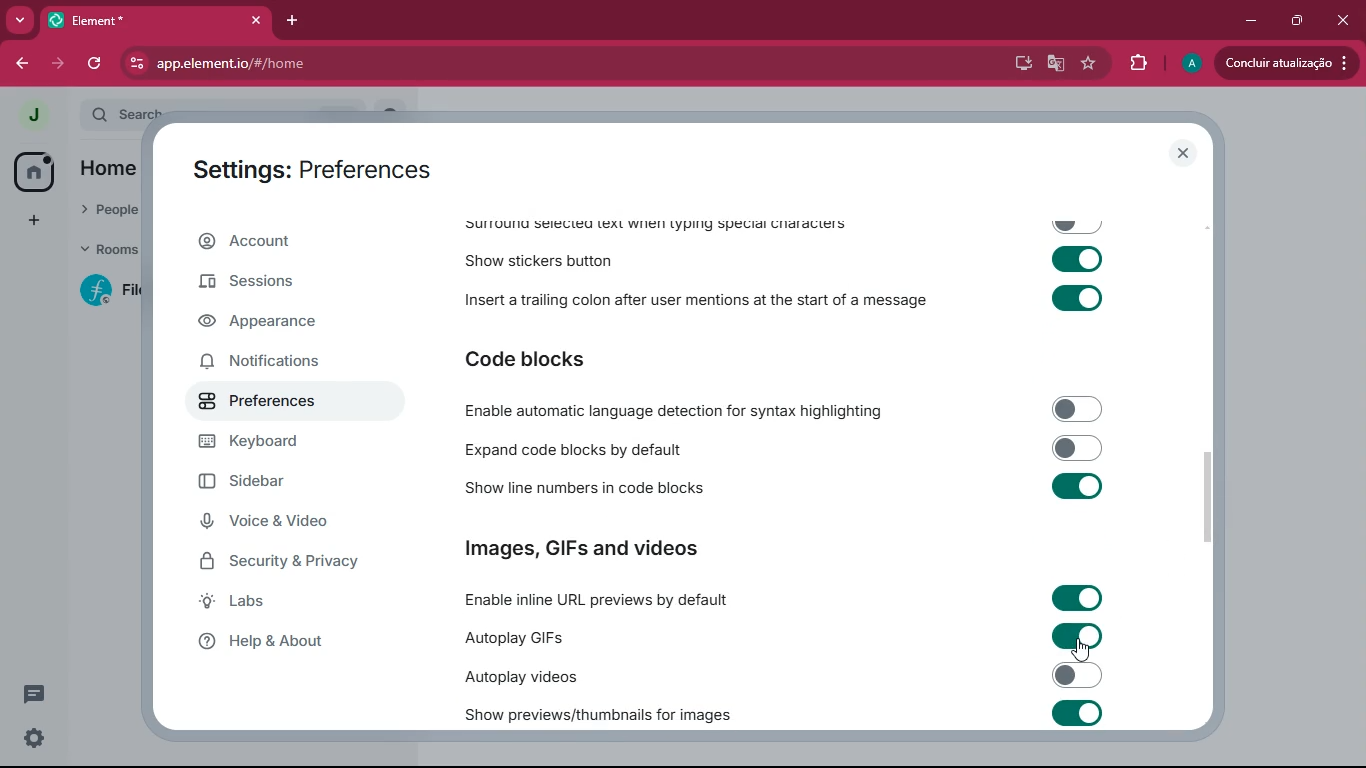  I want to click on maximize, so click(1296, 22).